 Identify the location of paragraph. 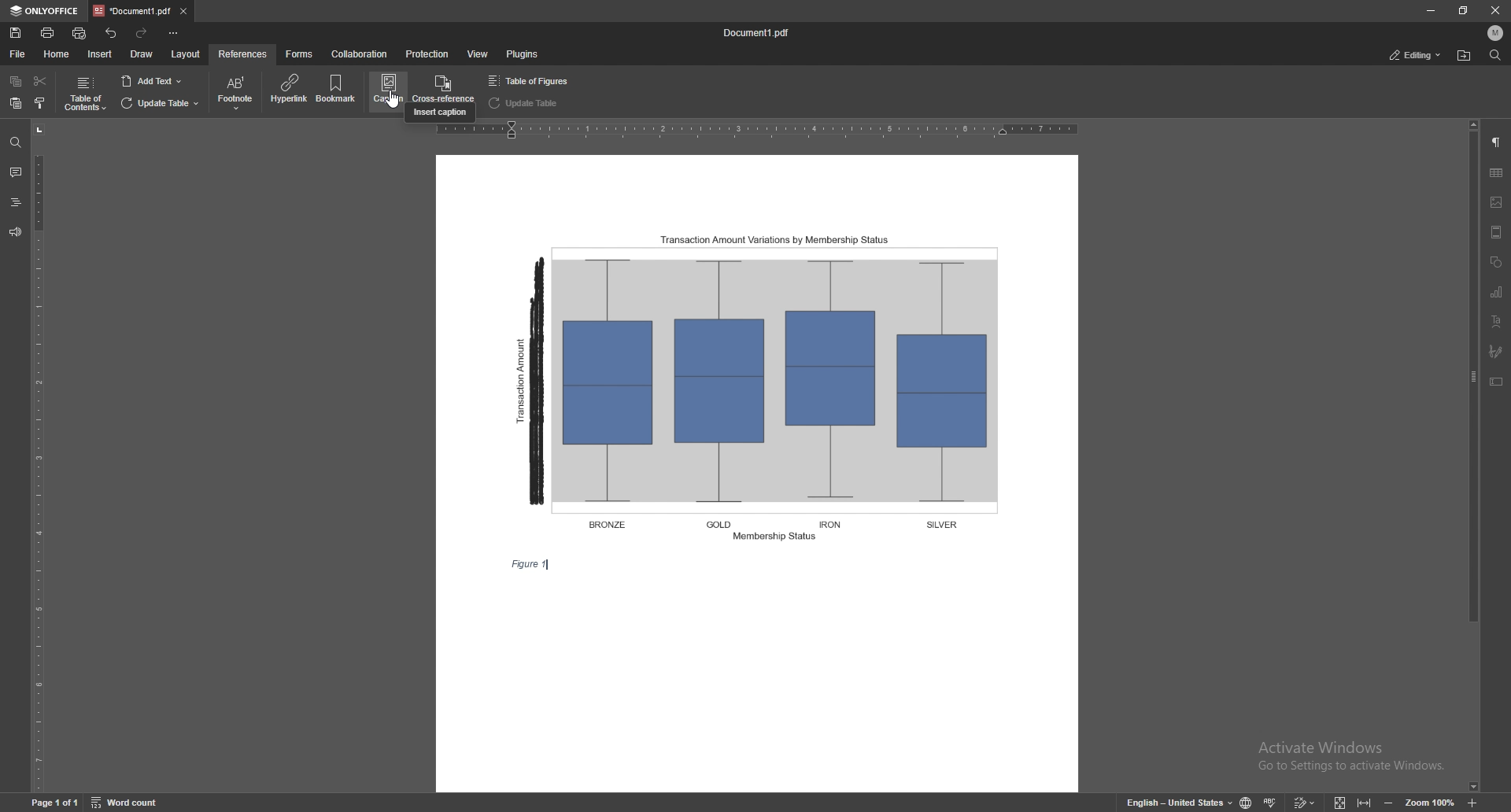
(1496, 142).